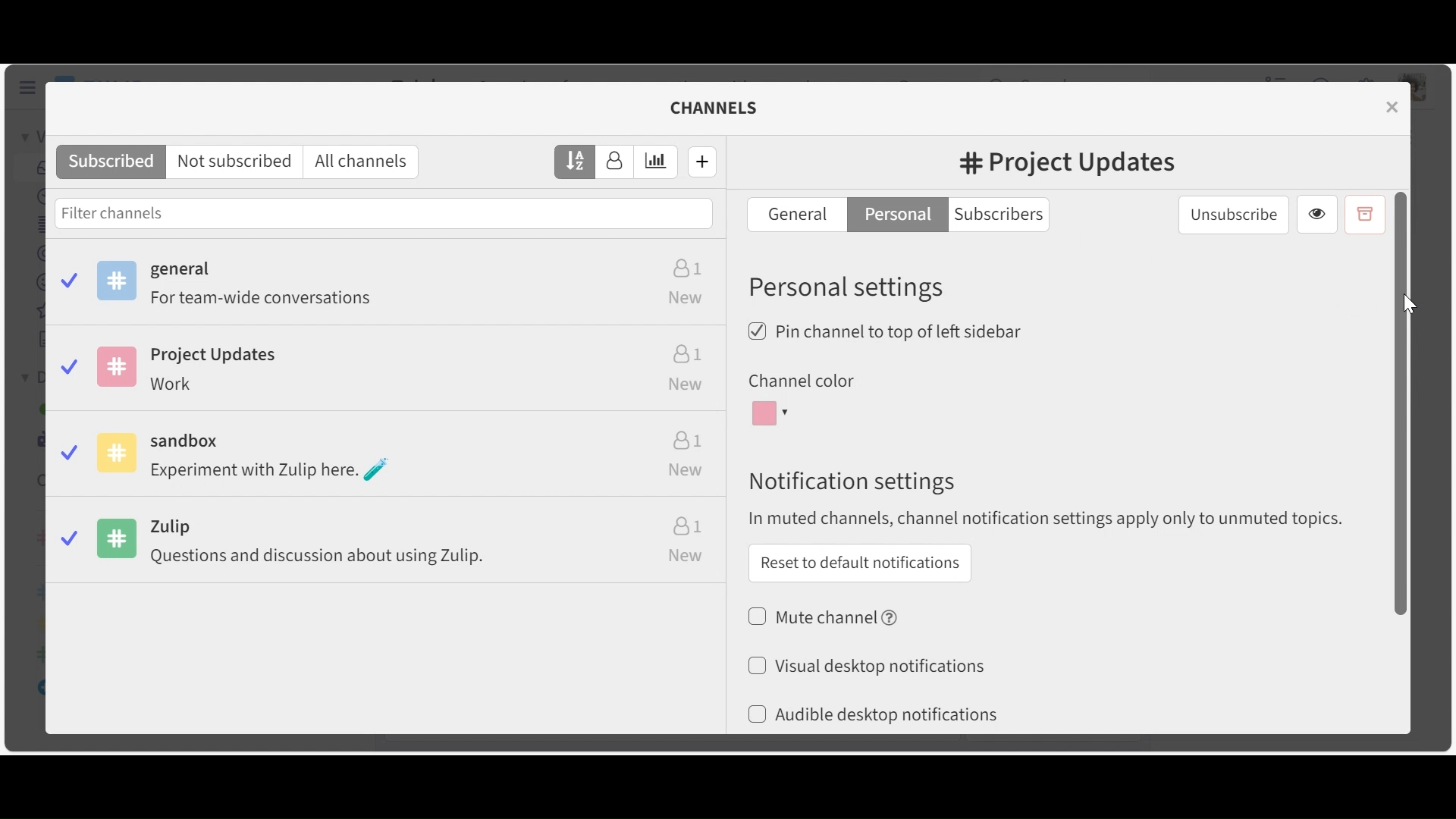 The image size is (1456, 819). I want to click on (un)select muted channel, so click(826, 617).